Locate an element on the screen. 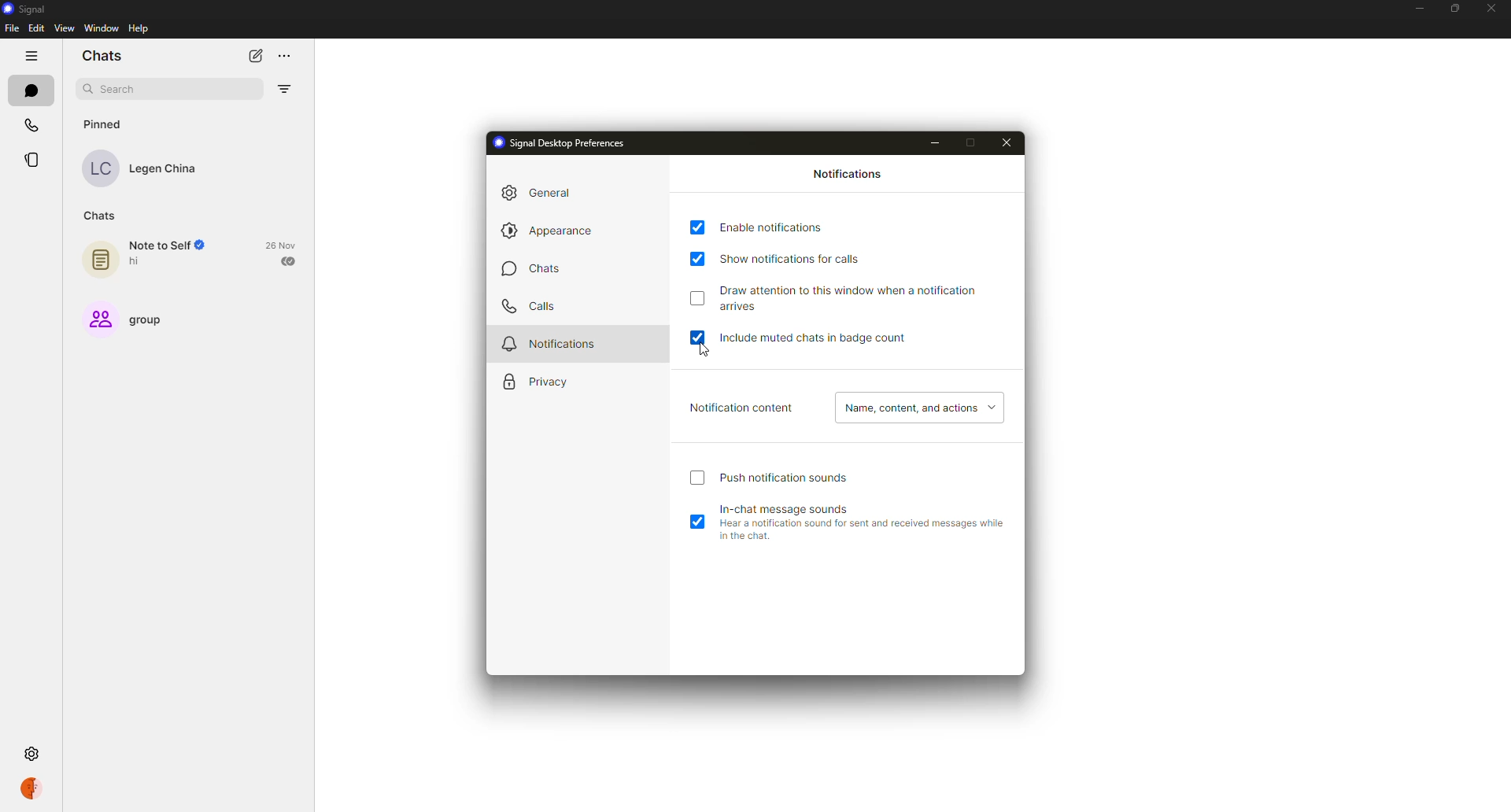 The width and height of the screenshot is (1511, 812). filter is located at coordinates (284, 89).